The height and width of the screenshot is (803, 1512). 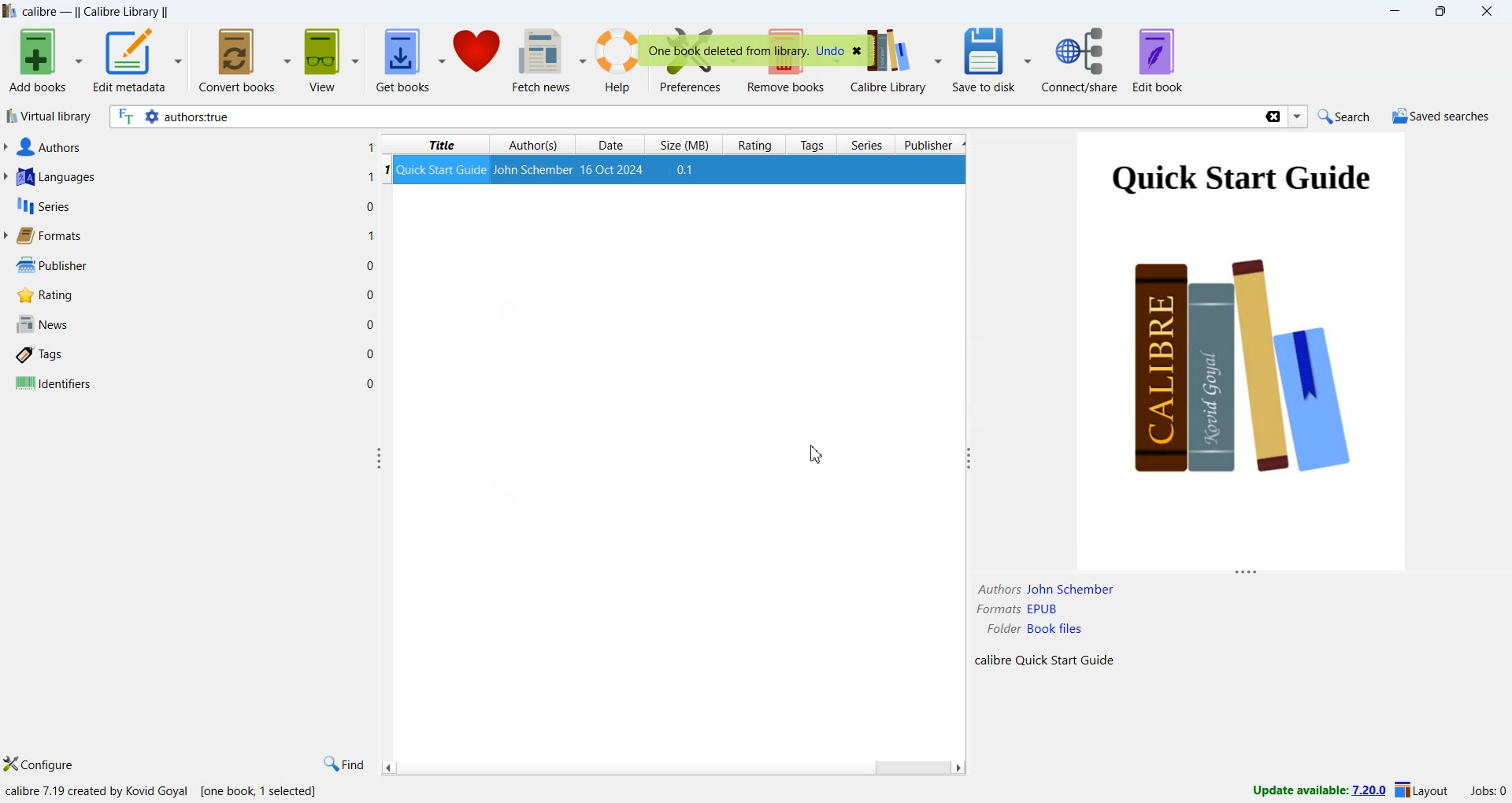 I want to click on Scroll, so click(x=672, y=768).